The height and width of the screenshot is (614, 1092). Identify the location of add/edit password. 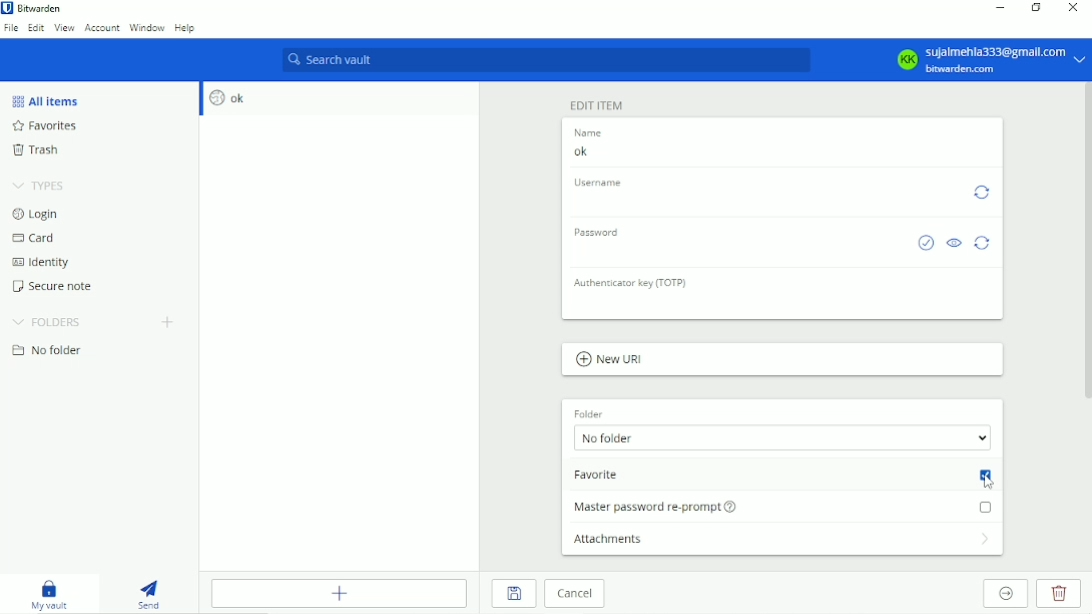
(737, 251).